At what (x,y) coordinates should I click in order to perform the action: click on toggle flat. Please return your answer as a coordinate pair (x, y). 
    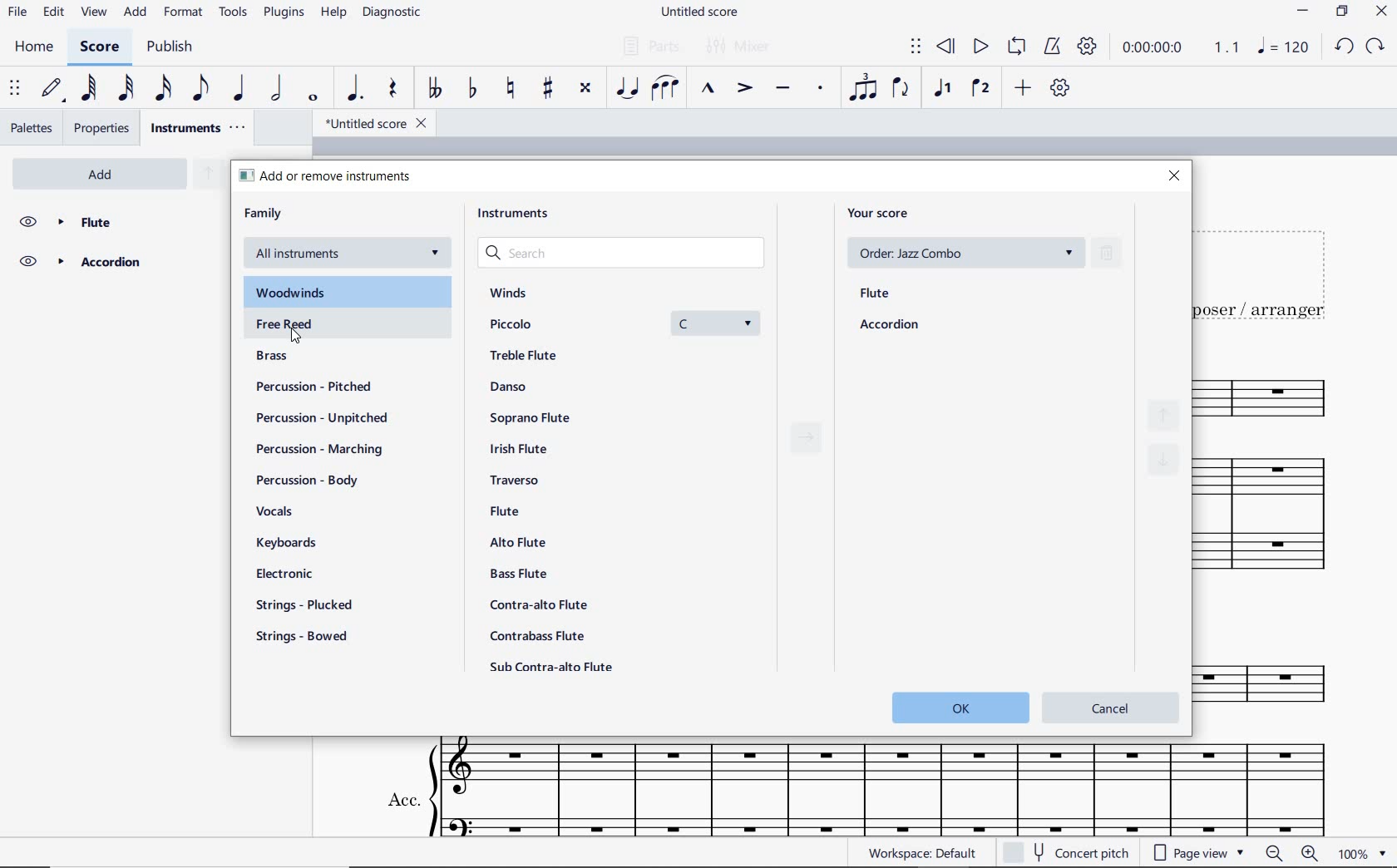
    Looking at the image, I should click on (471, 90).